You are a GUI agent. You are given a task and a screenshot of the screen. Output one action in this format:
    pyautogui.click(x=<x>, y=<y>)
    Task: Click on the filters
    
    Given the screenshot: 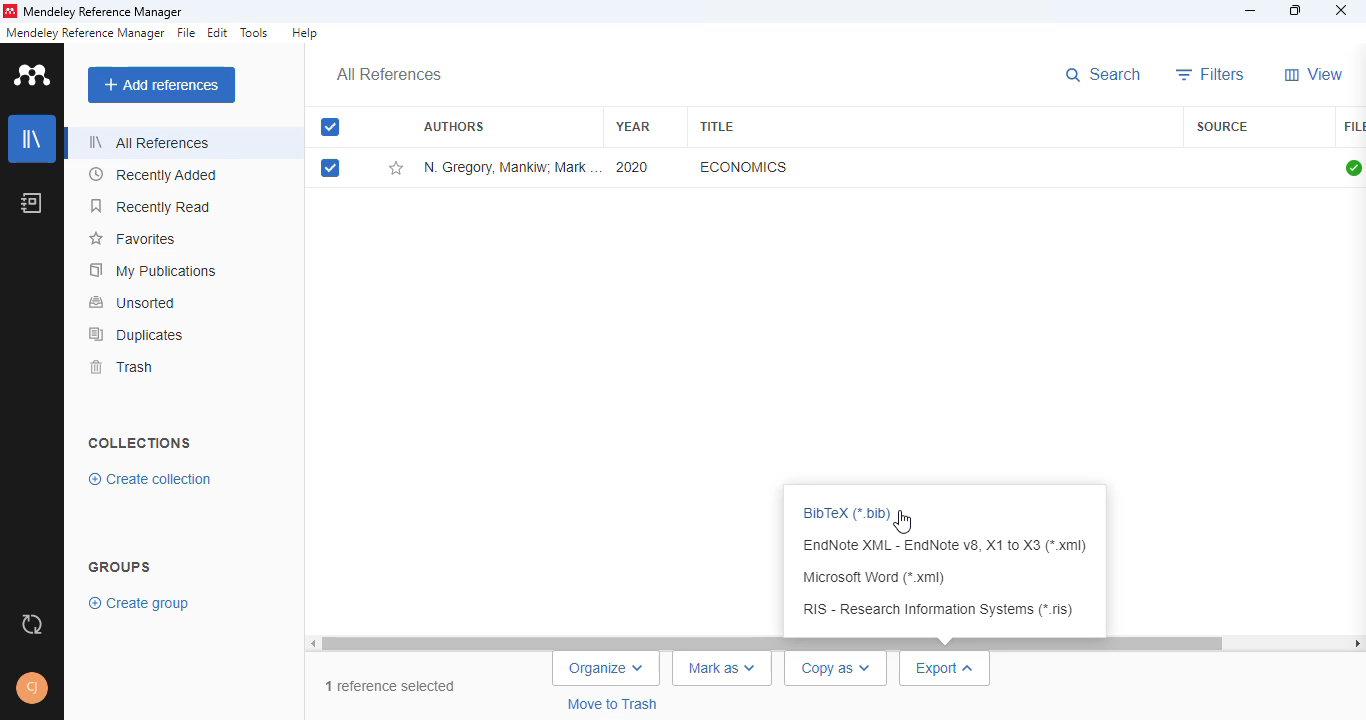 What is the action you would take?
    pyautogui.click(x=1210, y=75)
    